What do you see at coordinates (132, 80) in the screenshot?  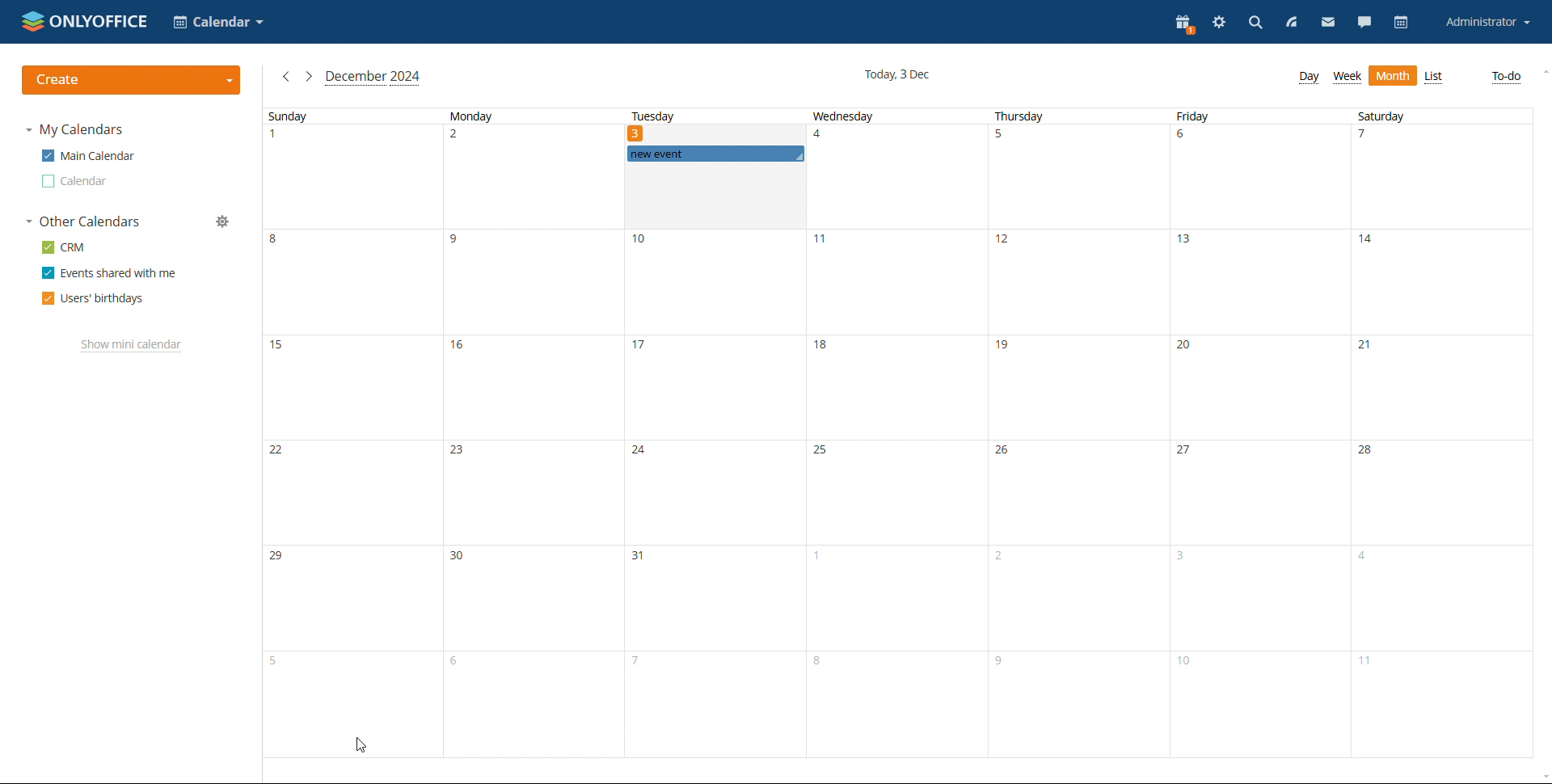 I see `create` at bounding box center [132, 80].